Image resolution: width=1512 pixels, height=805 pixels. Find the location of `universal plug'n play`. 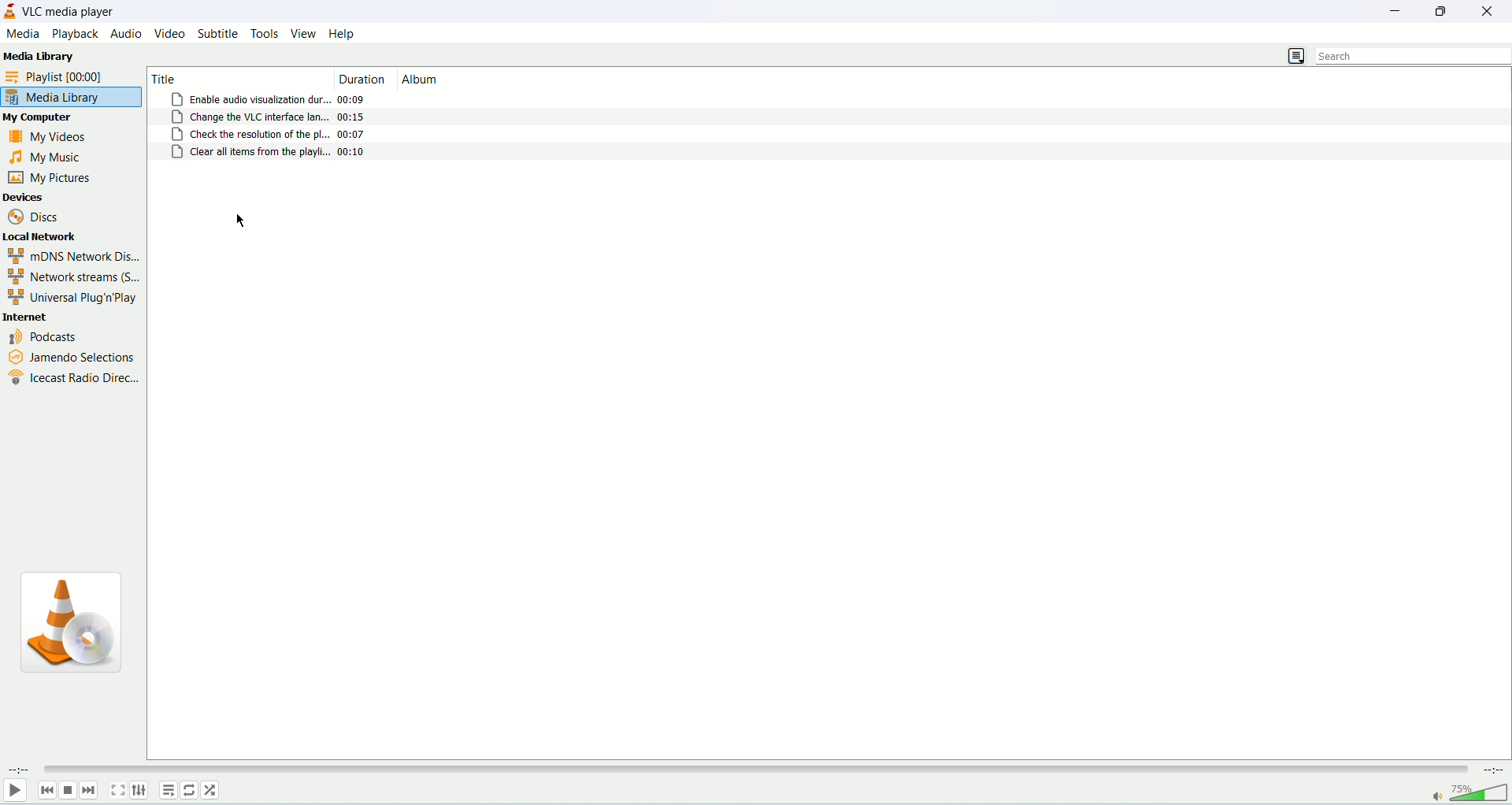

universal plug'n play is located at coordinates (74, 296).